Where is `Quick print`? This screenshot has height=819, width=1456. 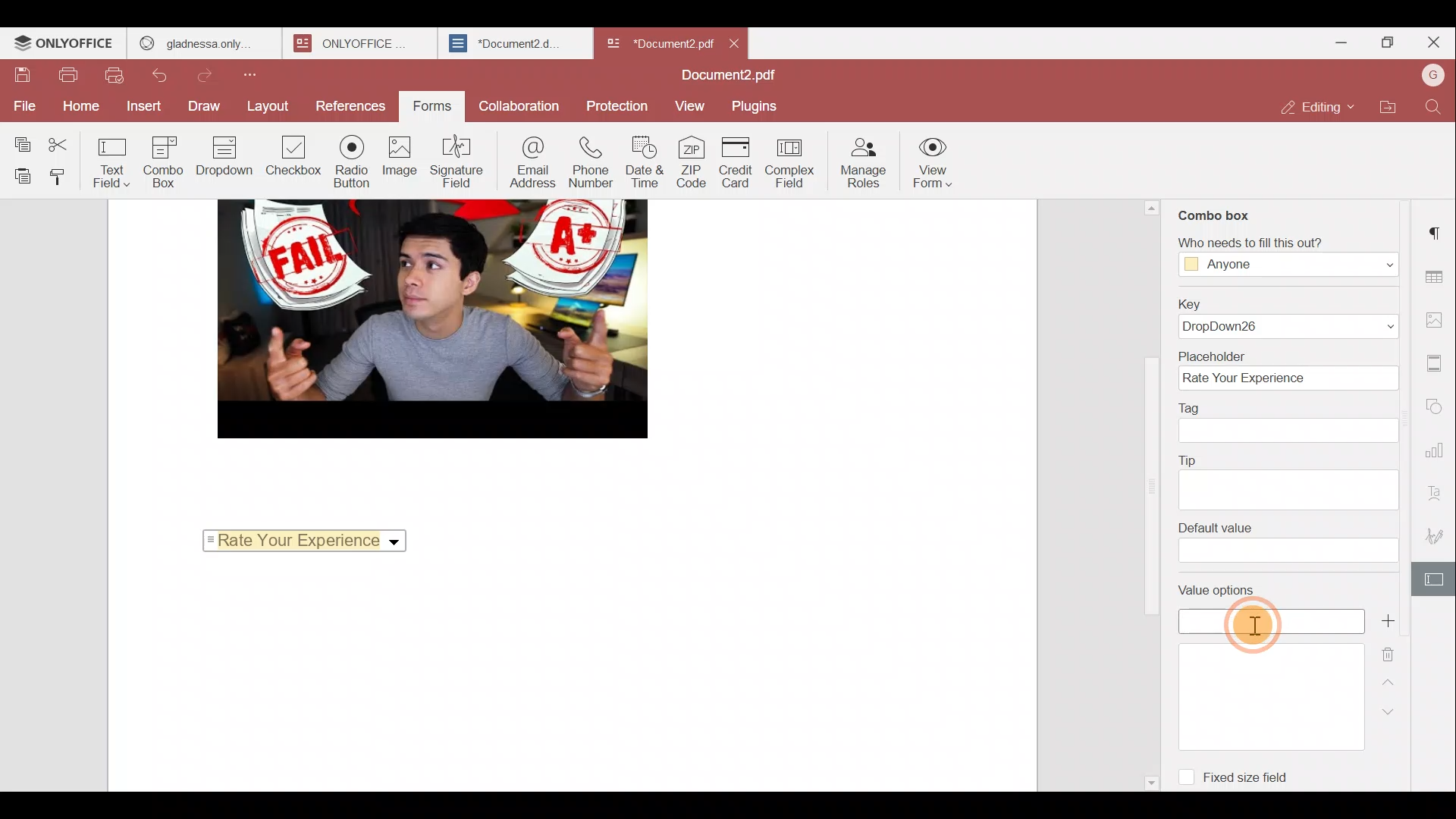
Quick print is located at coordinates (114, 76).